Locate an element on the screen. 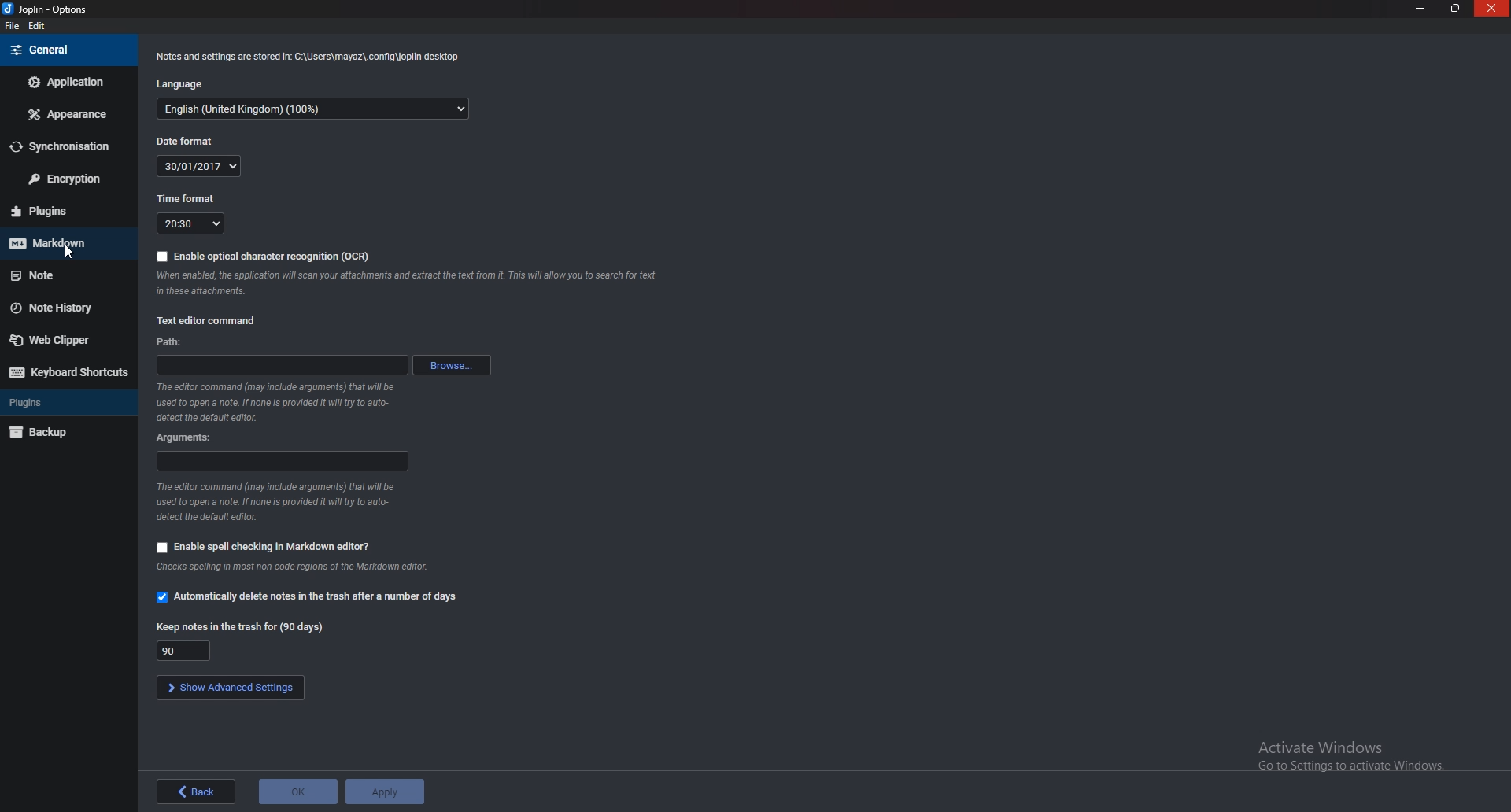 The image size is (1511, 812). Appearance is located at coordinates (65, 116).